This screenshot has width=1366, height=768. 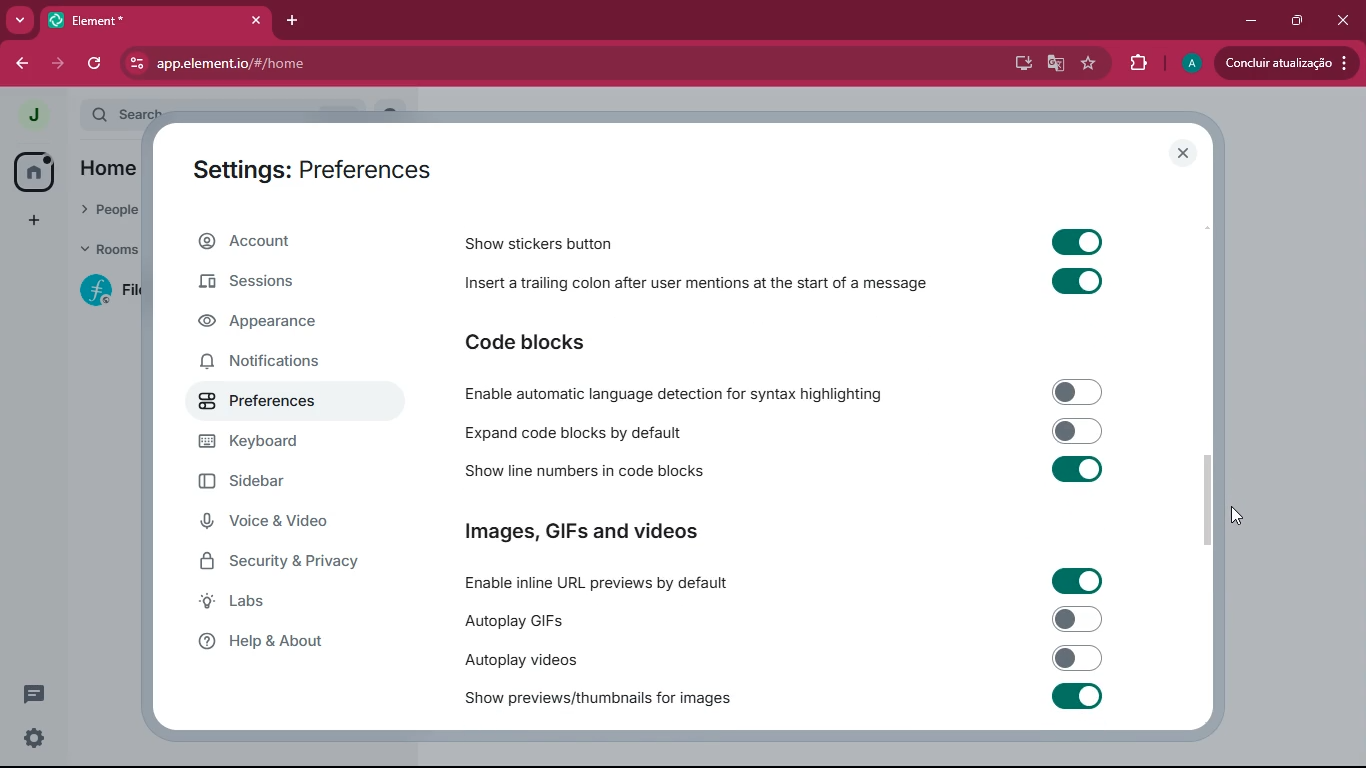 I want to click on message, so click(x=34, y=693).